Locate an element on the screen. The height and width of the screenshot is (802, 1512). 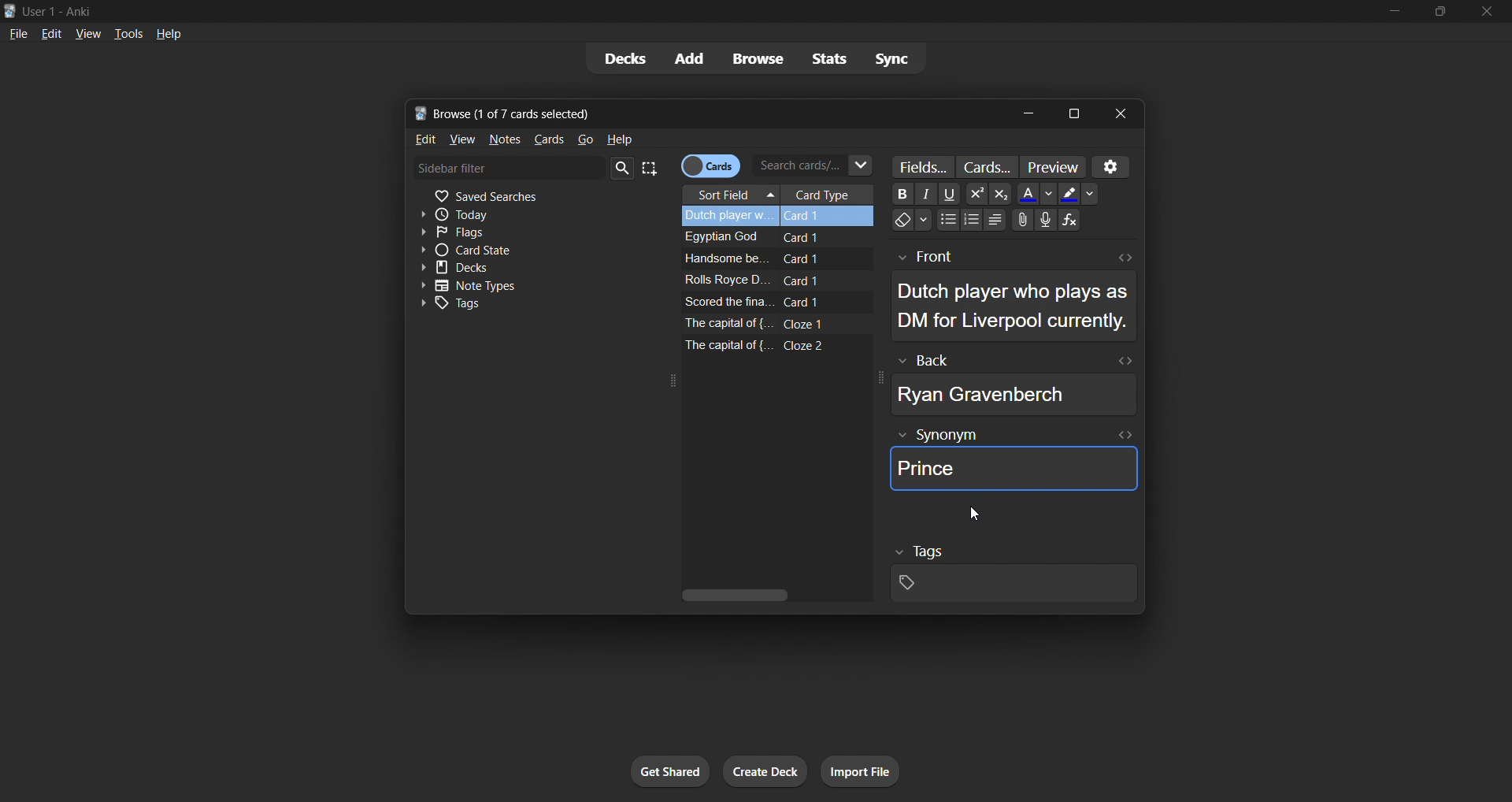
preview cards is located at coordinates (1051, 167).